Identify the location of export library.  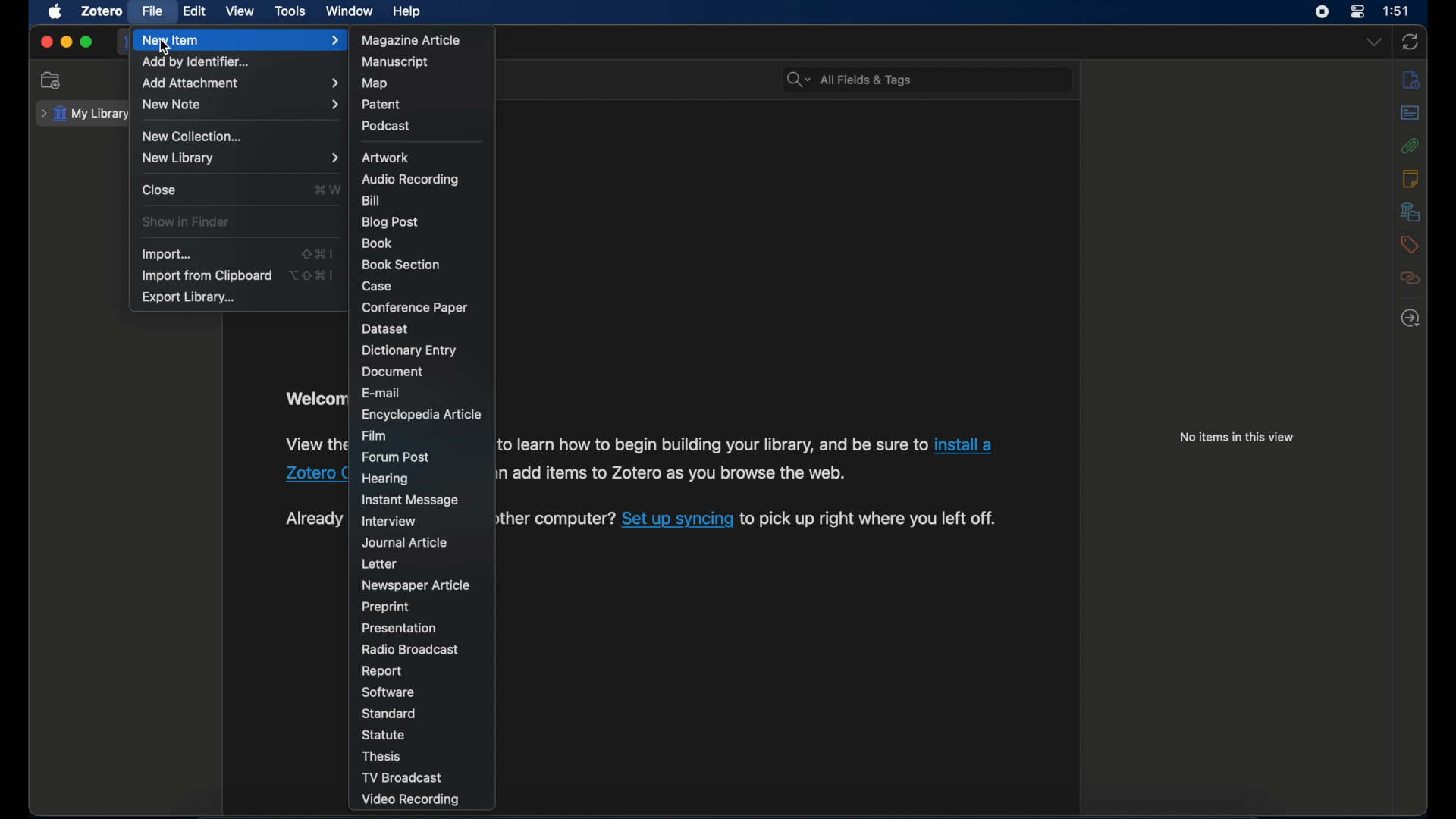
(190, 297).